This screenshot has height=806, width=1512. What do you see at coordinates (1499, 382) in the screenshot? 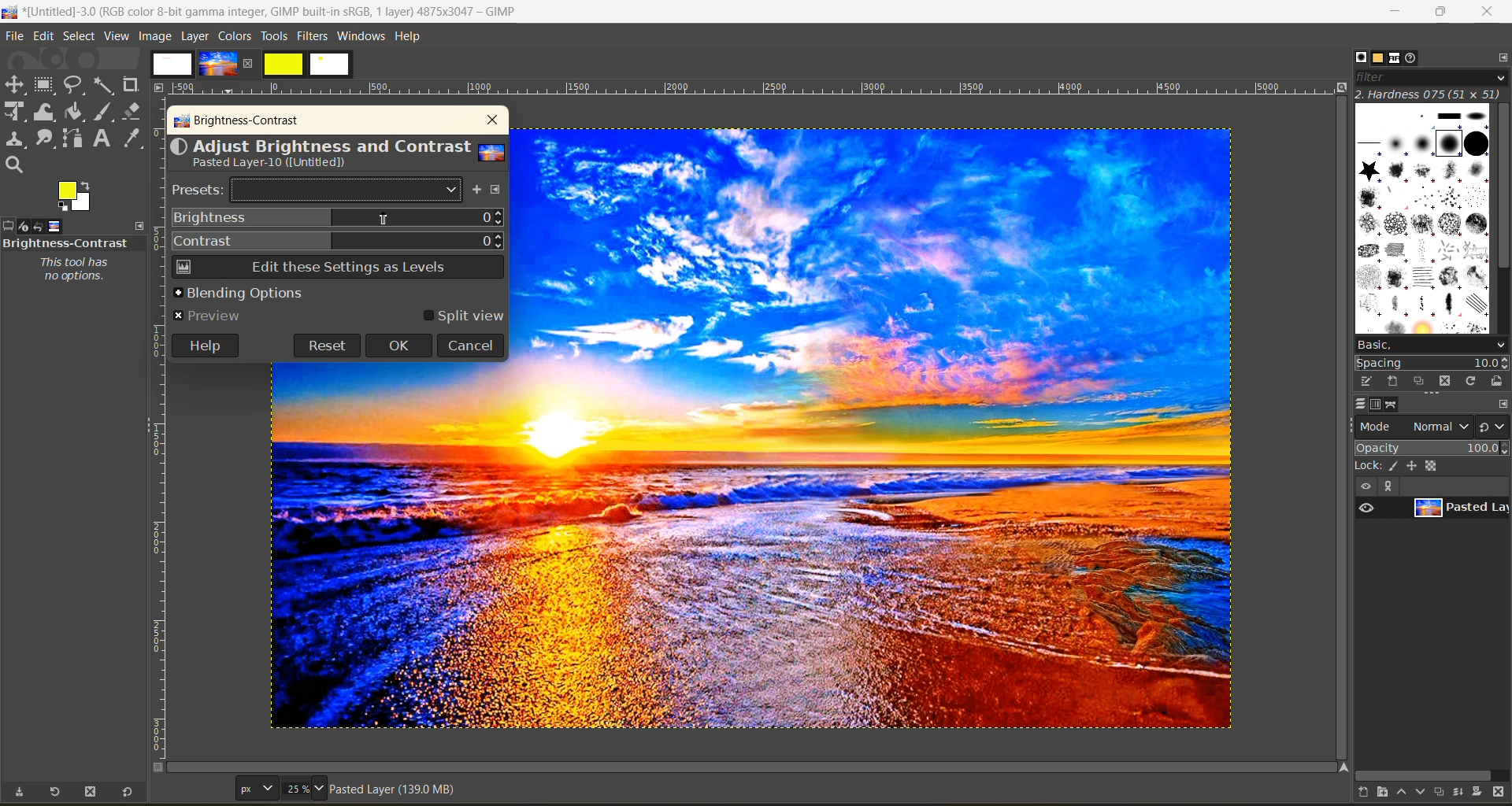
I see `open brush as image` at bounding box center [1499, 382].